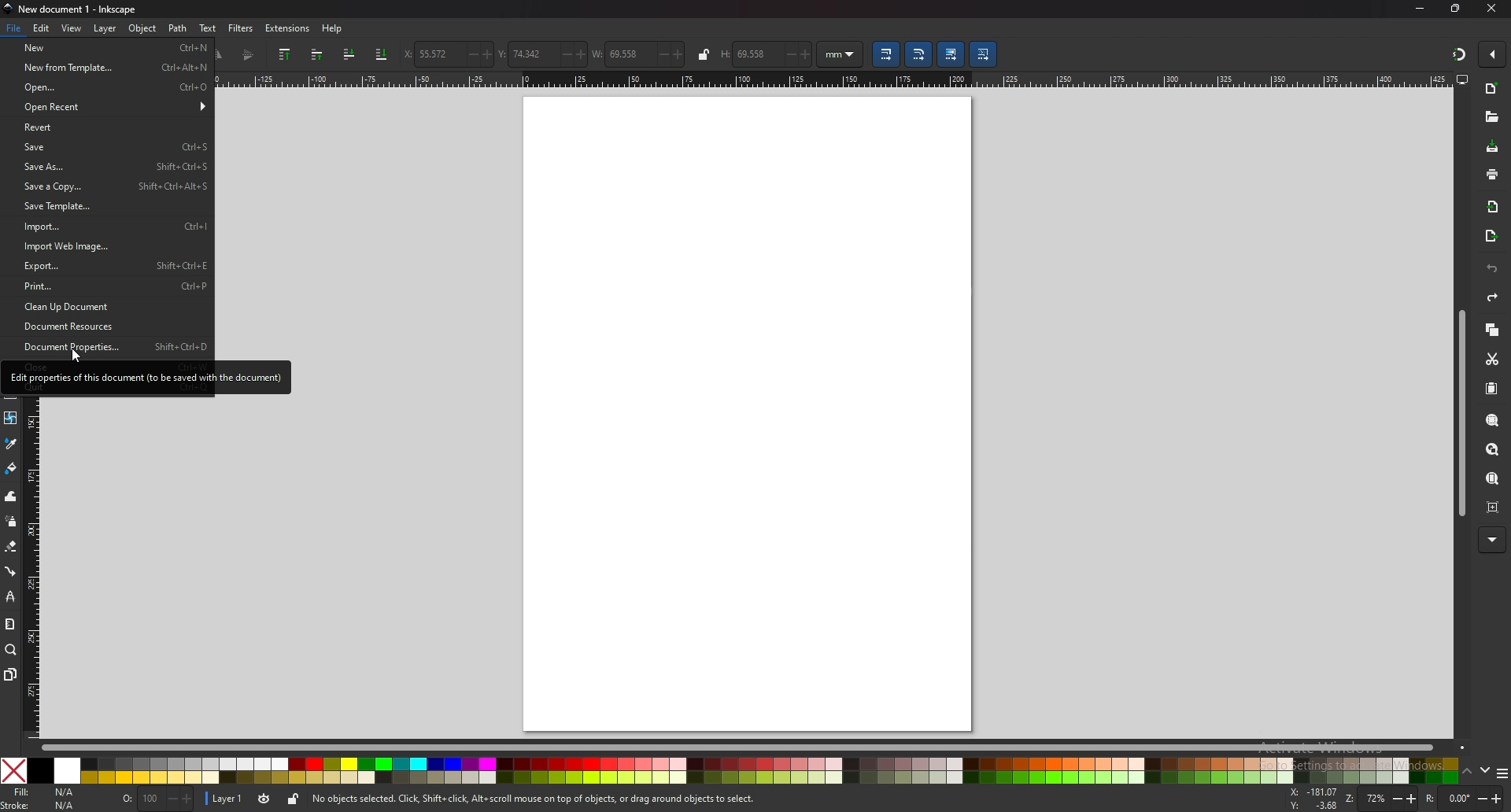 The width and height of the screenshot is (1511, 812). What do you see at coordinates (11, 545) in the screenshot?
I see `erase` at bounding box center [11, 545].